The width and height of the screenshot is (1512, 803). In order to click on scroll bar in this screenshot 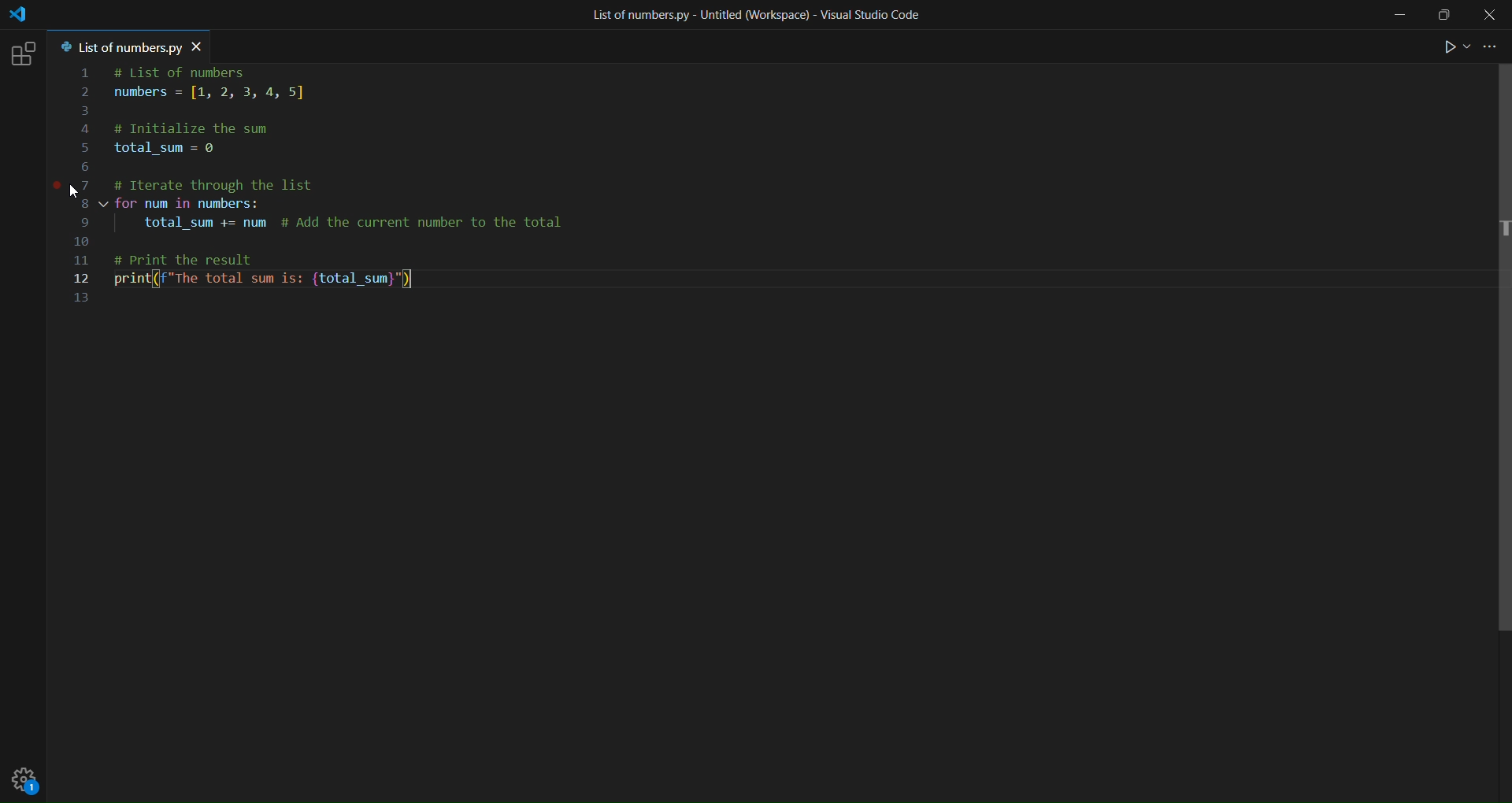, I will do `click(1496, 354)`.